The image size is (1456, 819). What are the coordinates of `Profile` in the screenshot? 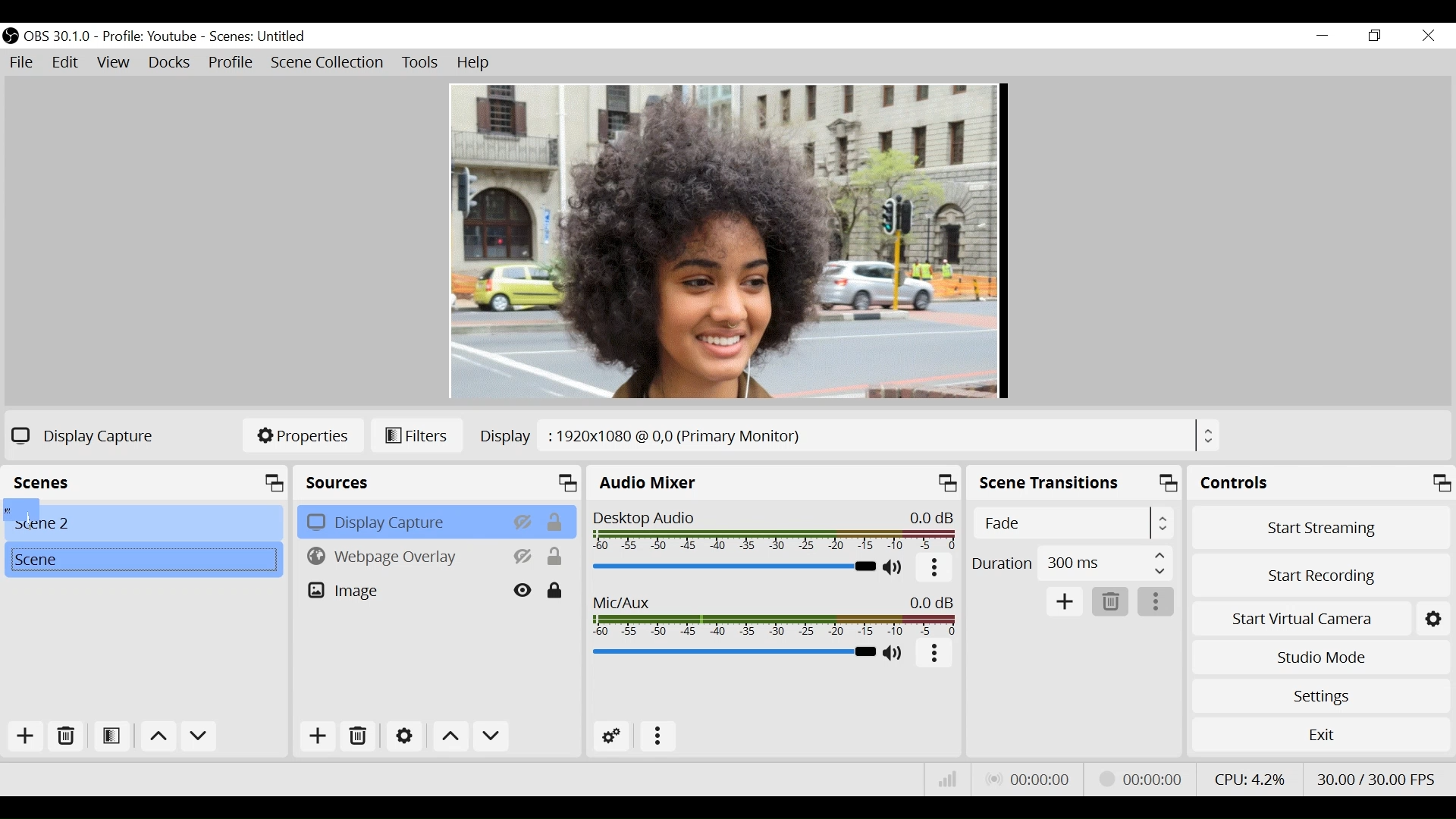 It's located at (152, 37).